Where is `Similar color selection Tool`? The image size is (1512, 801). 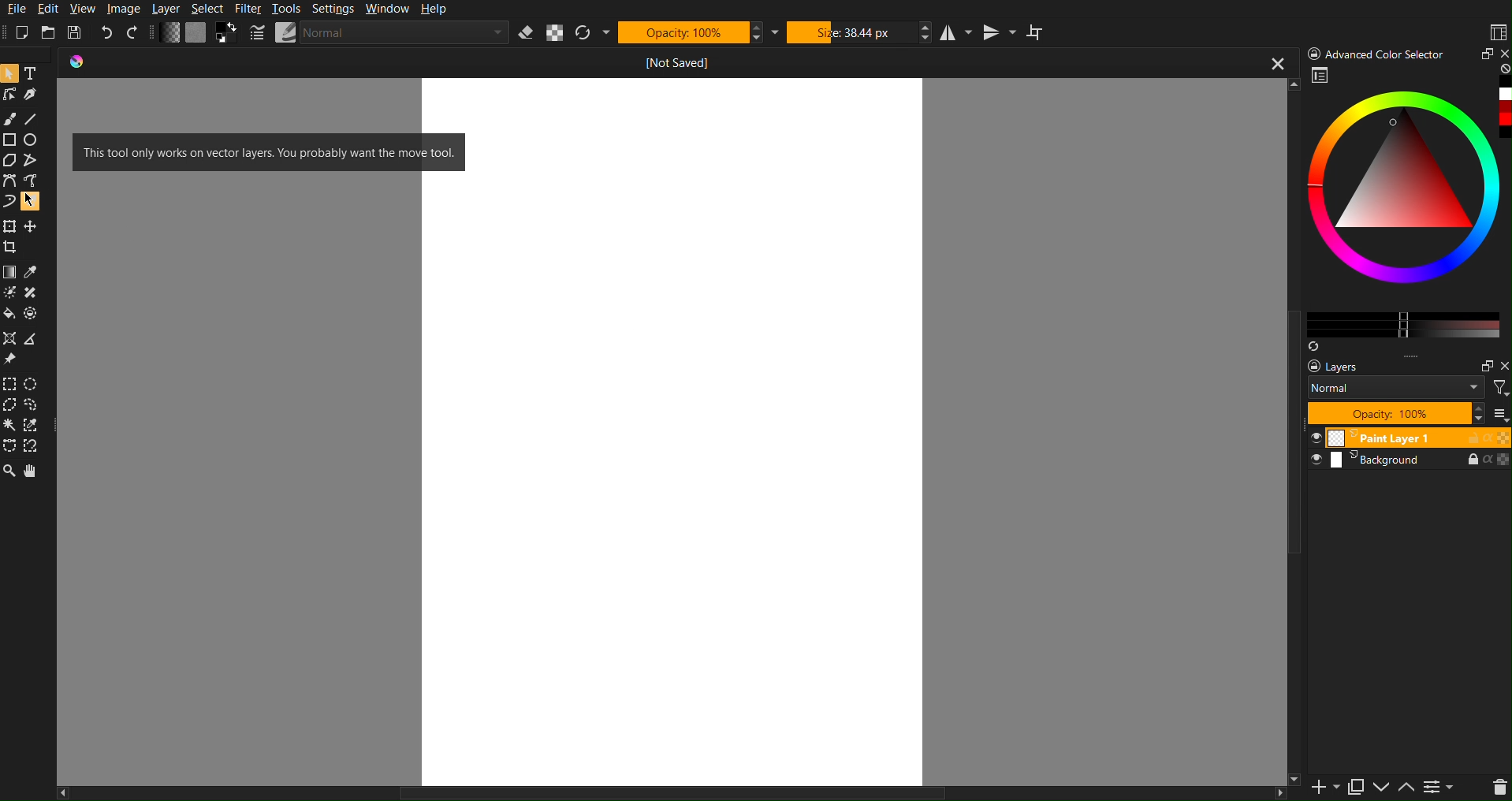
Similar color selection Tool is located at coordinates (38, 425).